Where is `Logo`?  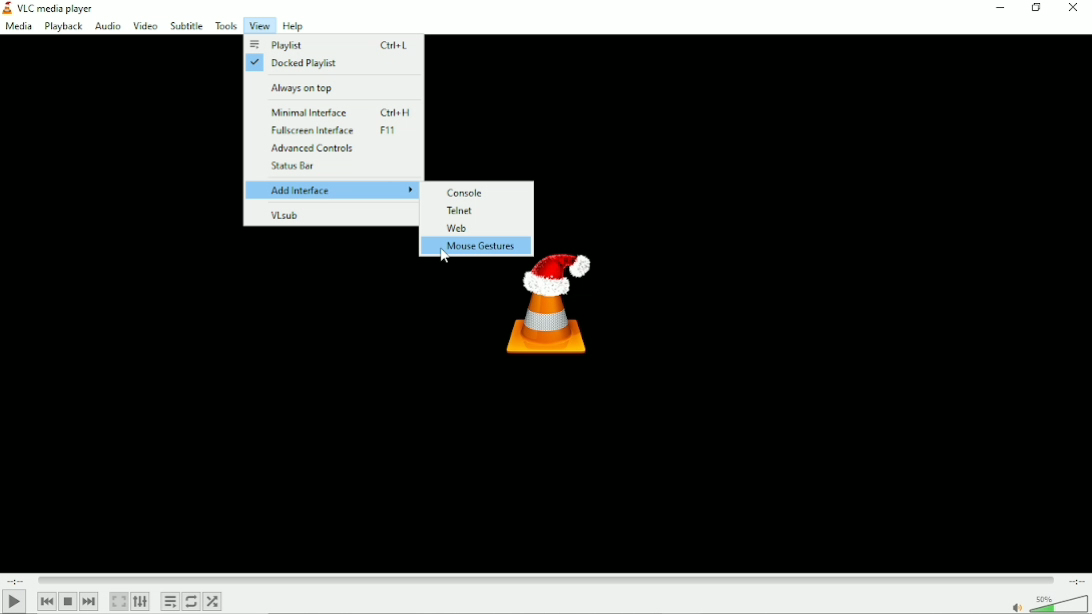
Logo is located at coordinates (547, 315).